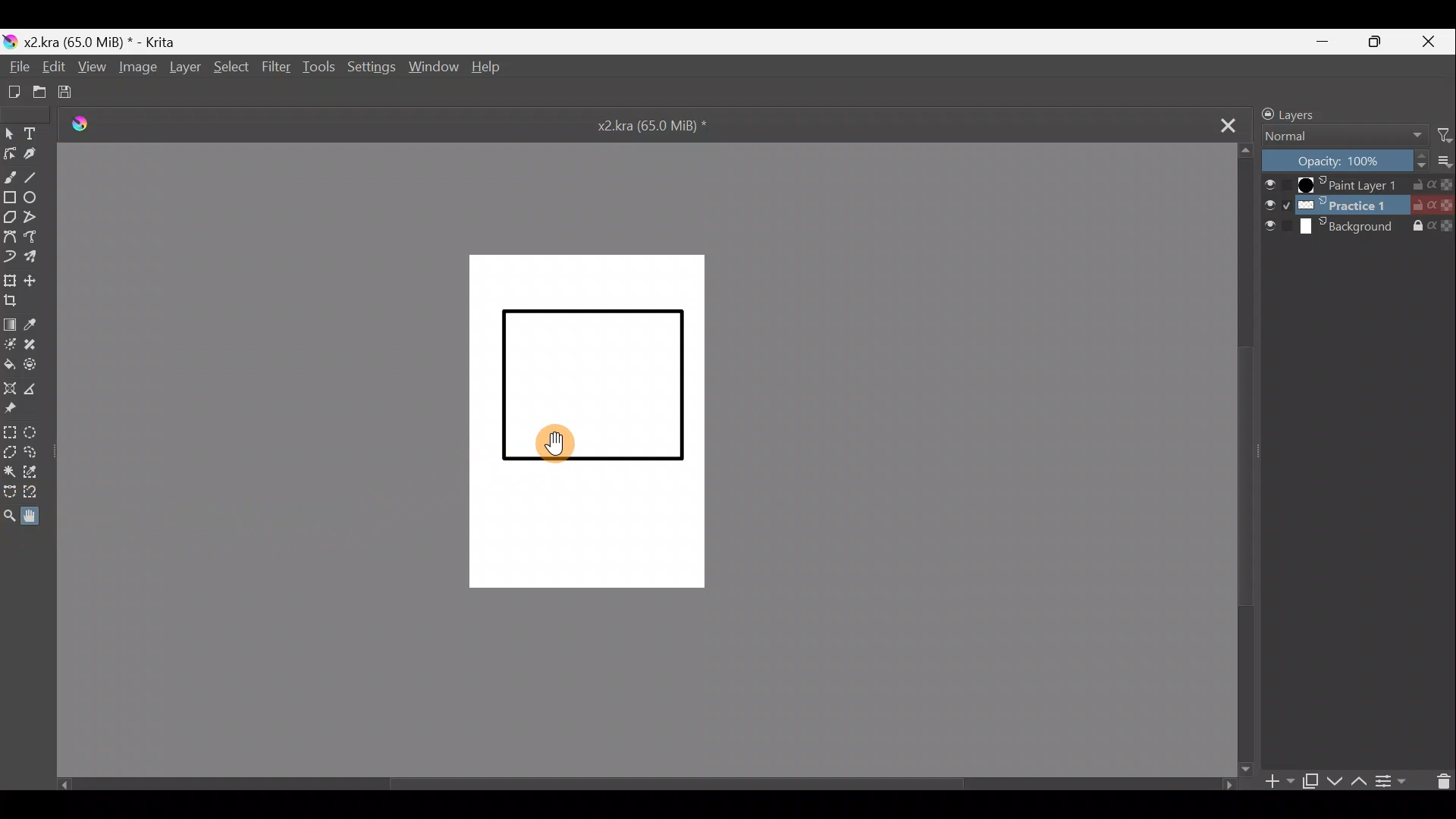  Describe the element at coordinates (10, 174) in the screenshot. I see `Freehand brush tool` at that location.